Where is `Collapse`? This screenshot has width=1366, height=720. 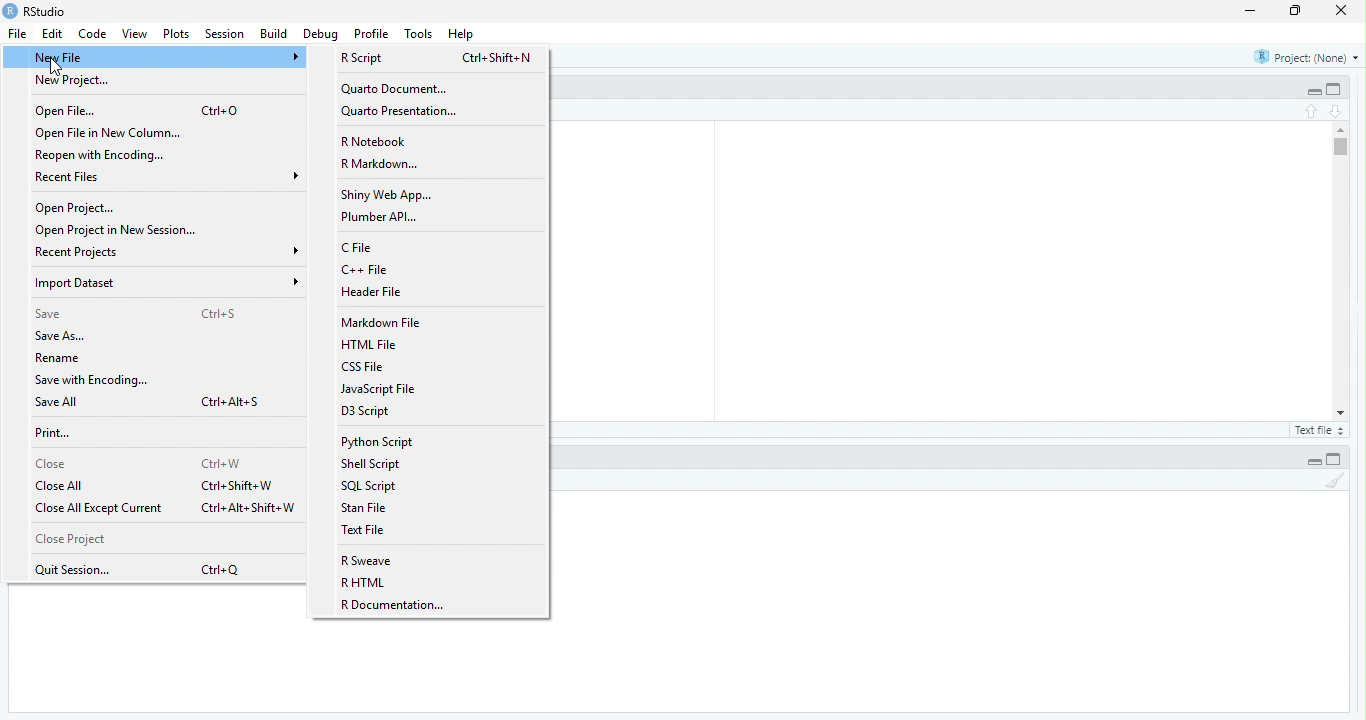 Collapse is located at coordinates (1314, 92).